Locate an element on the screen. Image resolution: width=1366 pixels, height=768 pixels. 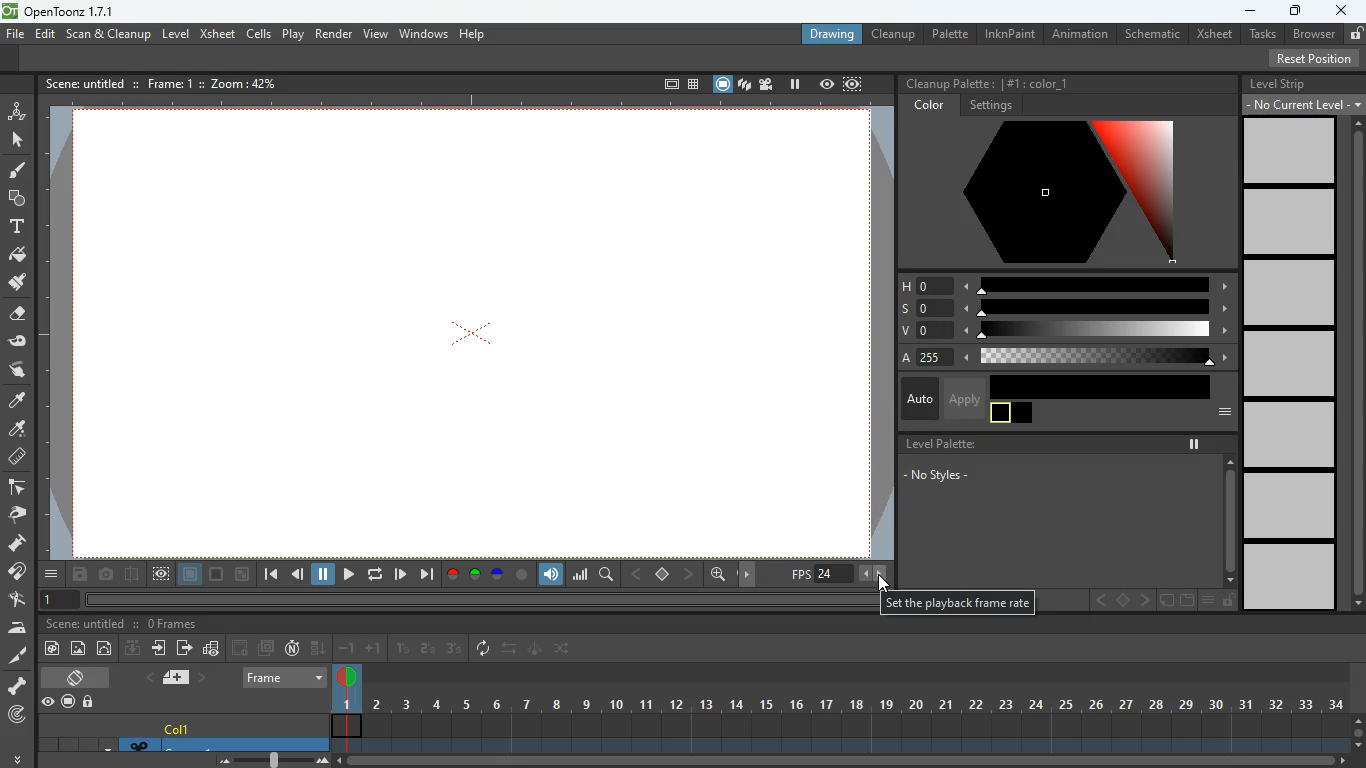
schematic is located at coordinates (1153, 33).